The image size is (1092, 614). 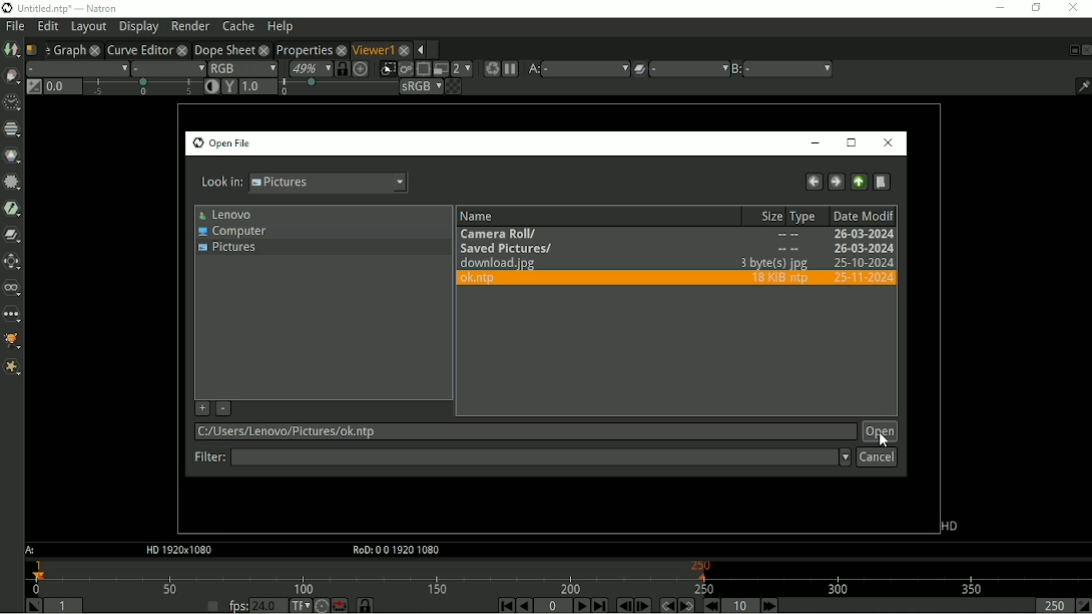 What do you see at coordinates (439, 68) in the screenshot?
I see `Proxy mode` at bounding box center [439, 68].